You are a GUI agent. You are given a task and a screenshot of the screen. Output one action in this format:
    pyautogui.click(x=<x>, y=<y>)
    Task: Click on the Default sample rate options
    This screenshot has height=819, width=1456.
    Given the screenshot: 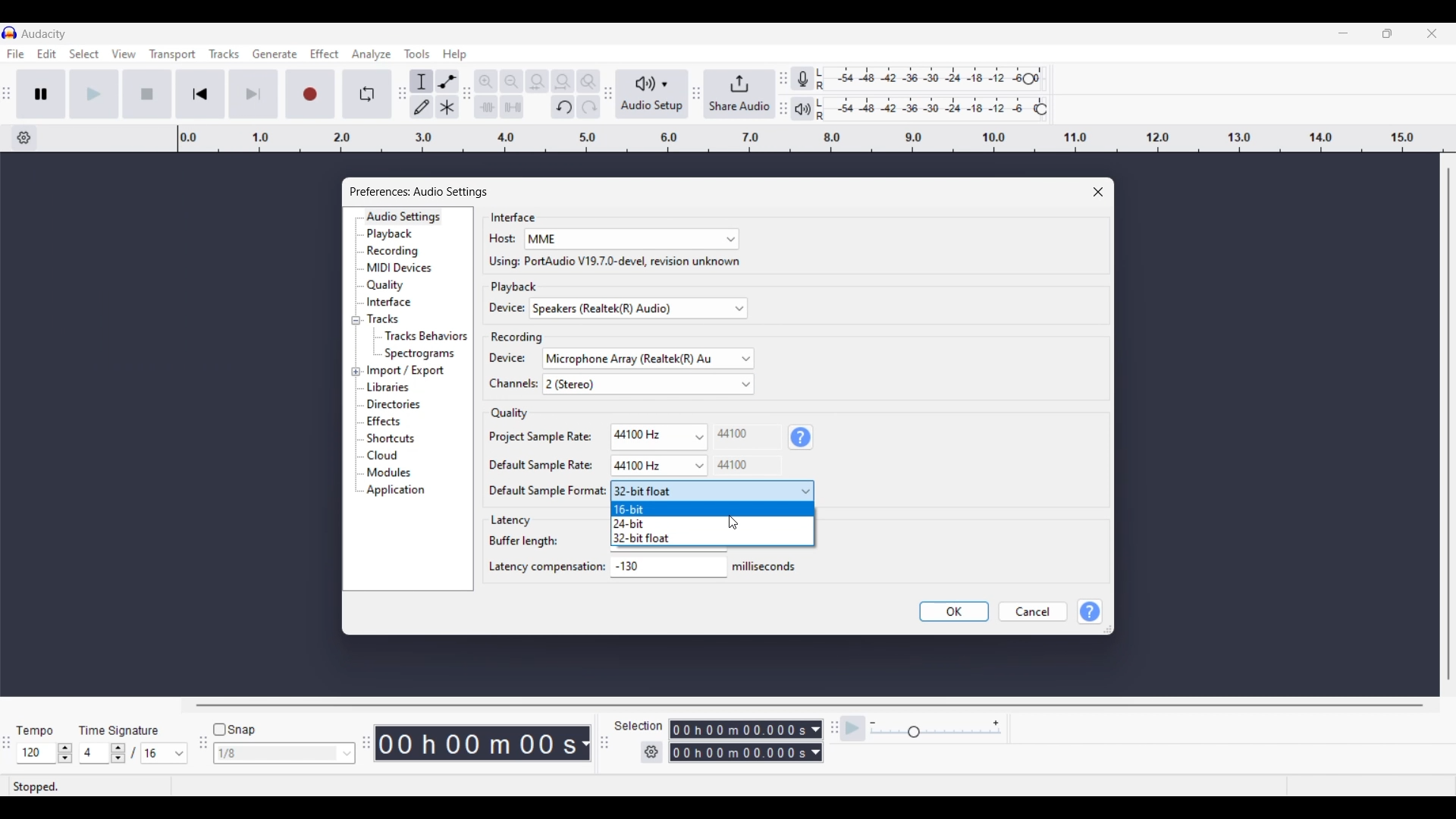 What is the action you would take?
    pyautogui.click(x=658, y=466)
    